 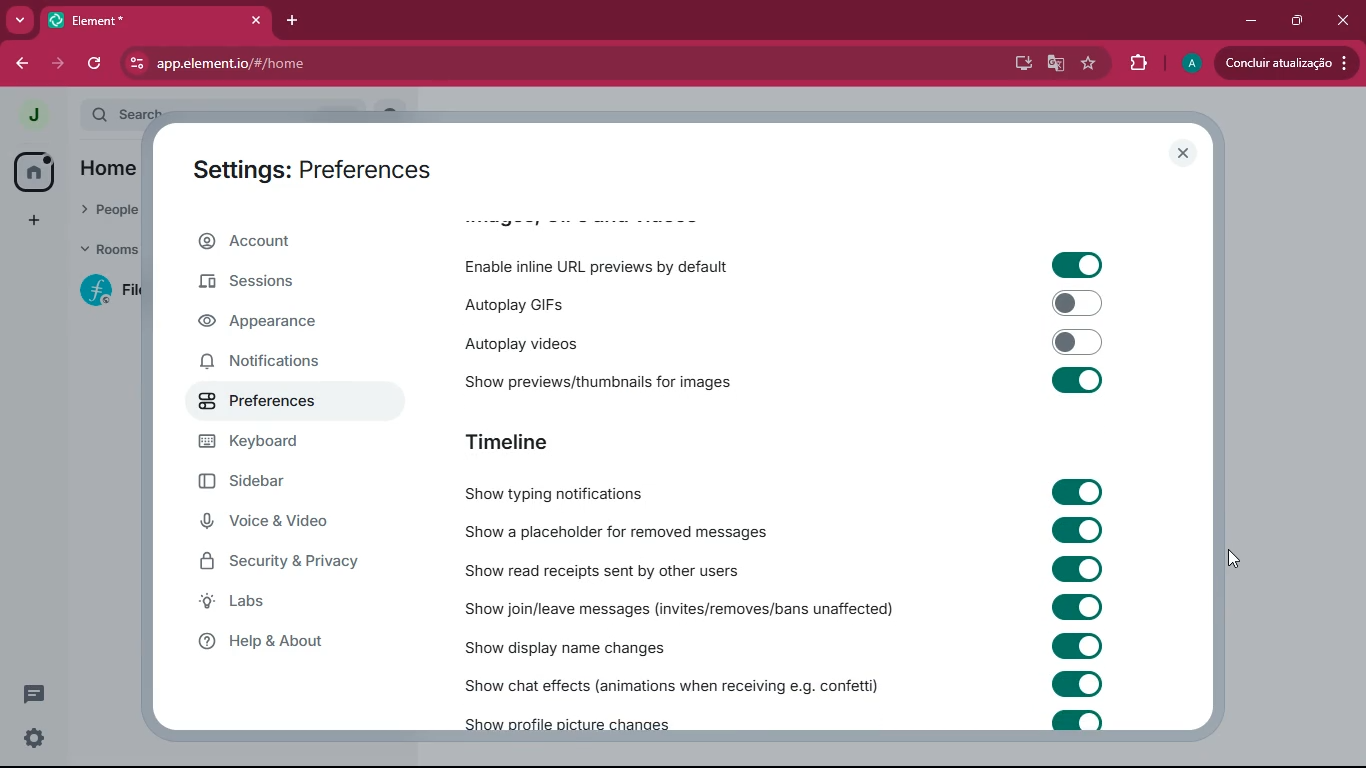 I want to click on toggle on/off, so click(x=1078, y=492).